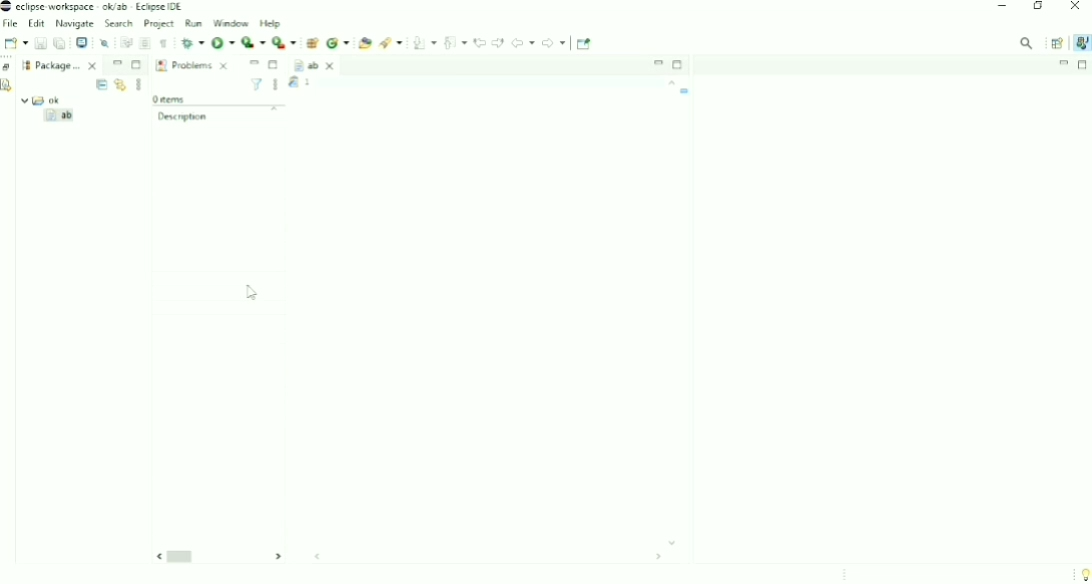 The width and height of the screenshot is (1092, 584). Describe the element at coordinates (137, 65) in the screenshot. I see `Maximize` at that location.